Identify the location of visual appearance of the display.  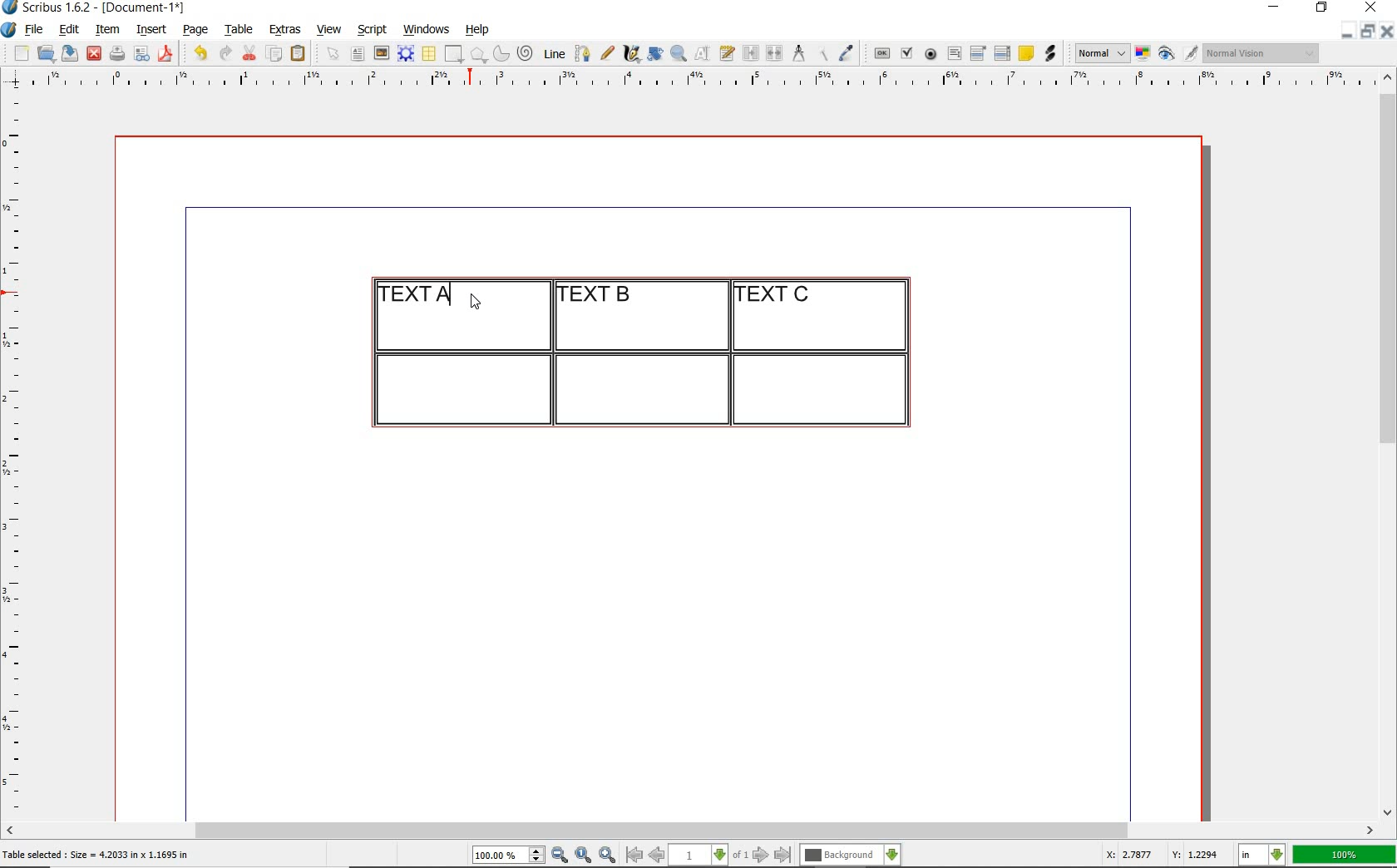
(1262, 53).